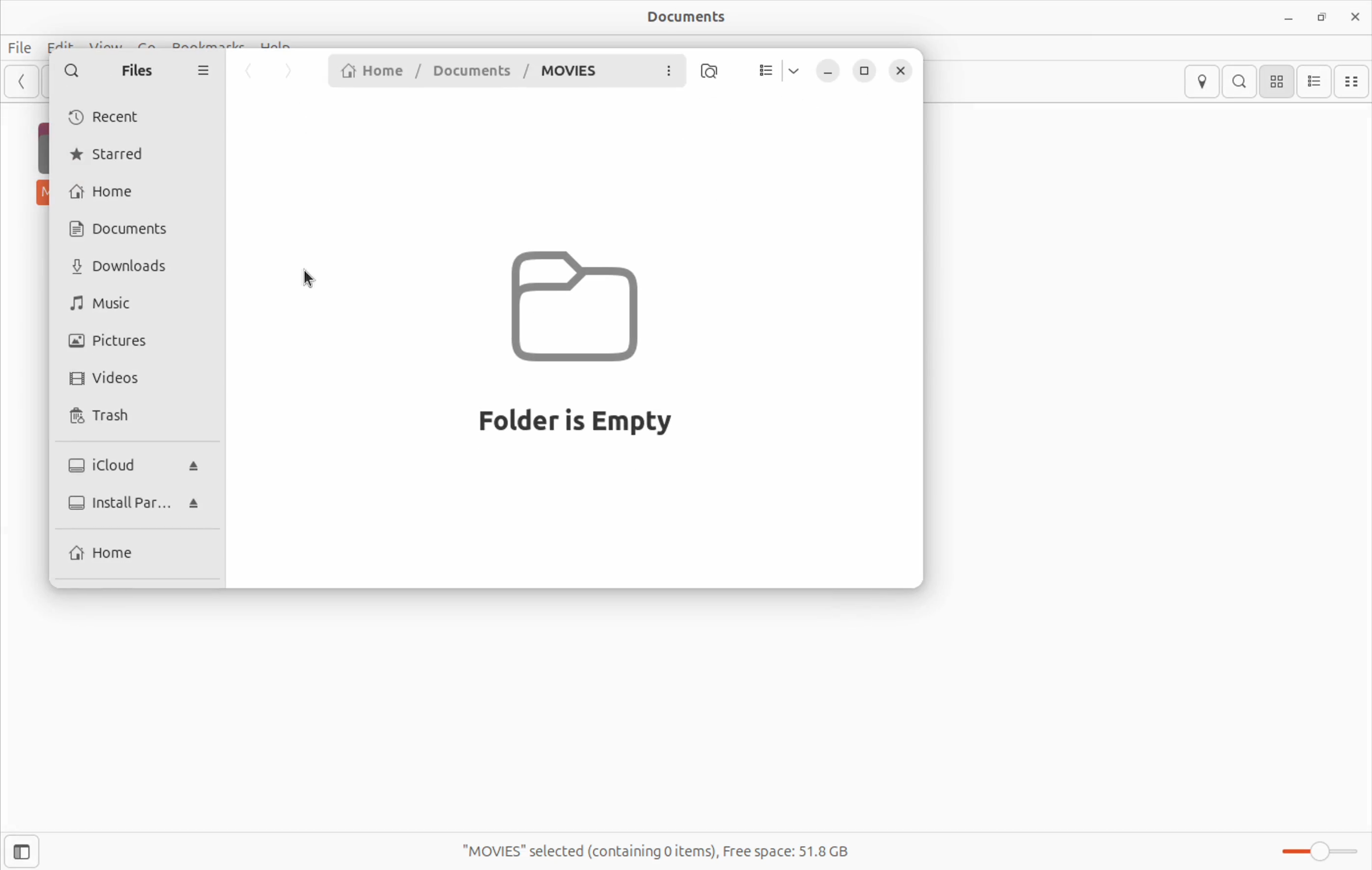 This screenshot has width=1372, height=870. Describe the element at coordinates (125, 267) in the screenshot. I see `Downloads` at that location.